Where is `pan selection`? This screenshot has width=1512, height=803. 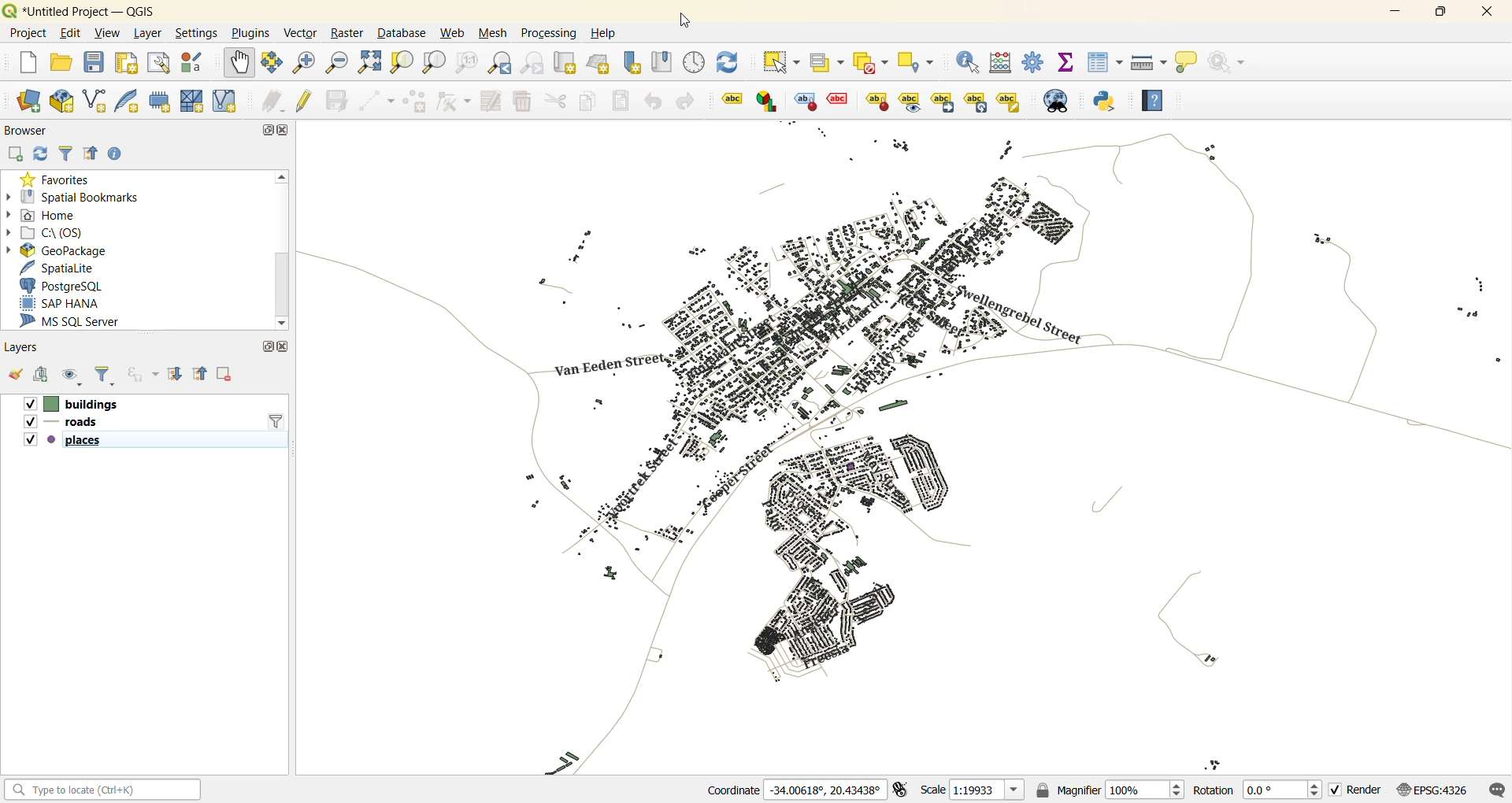
pan selection is located at coordinates (272, 64).